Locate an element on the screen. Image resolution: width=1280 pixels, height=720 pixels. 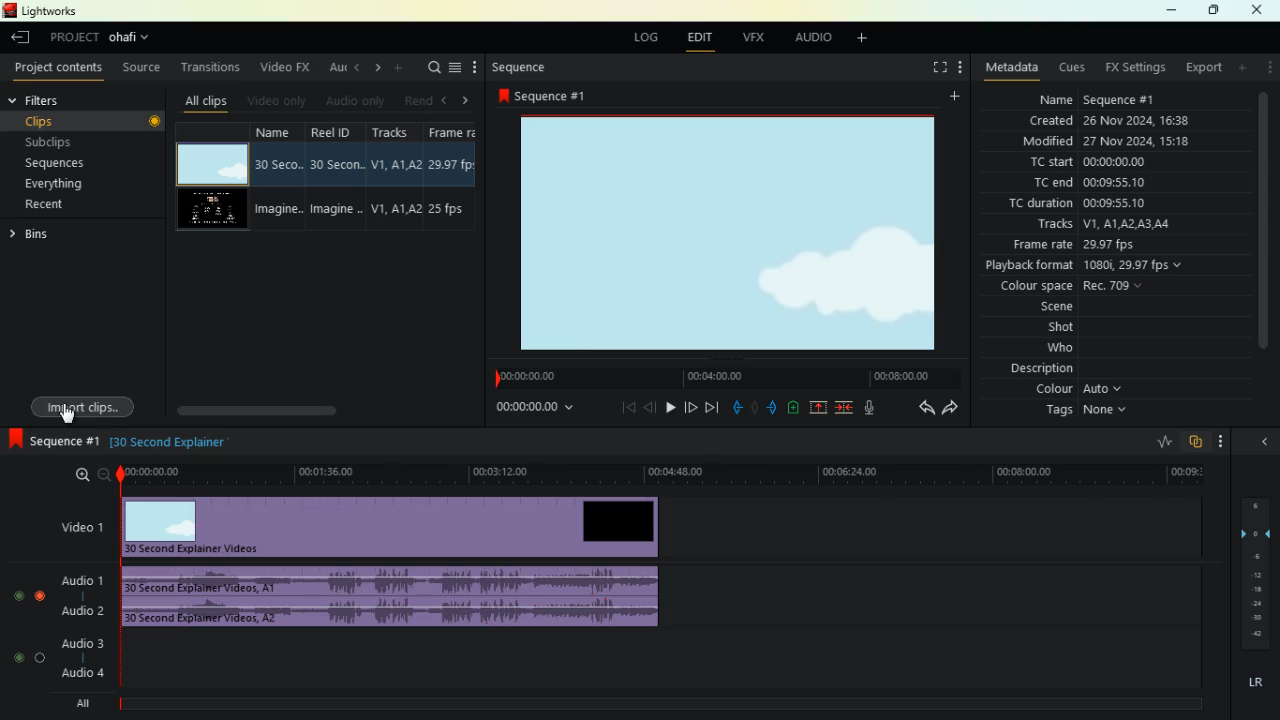
right is located at coordinates (379, 67).